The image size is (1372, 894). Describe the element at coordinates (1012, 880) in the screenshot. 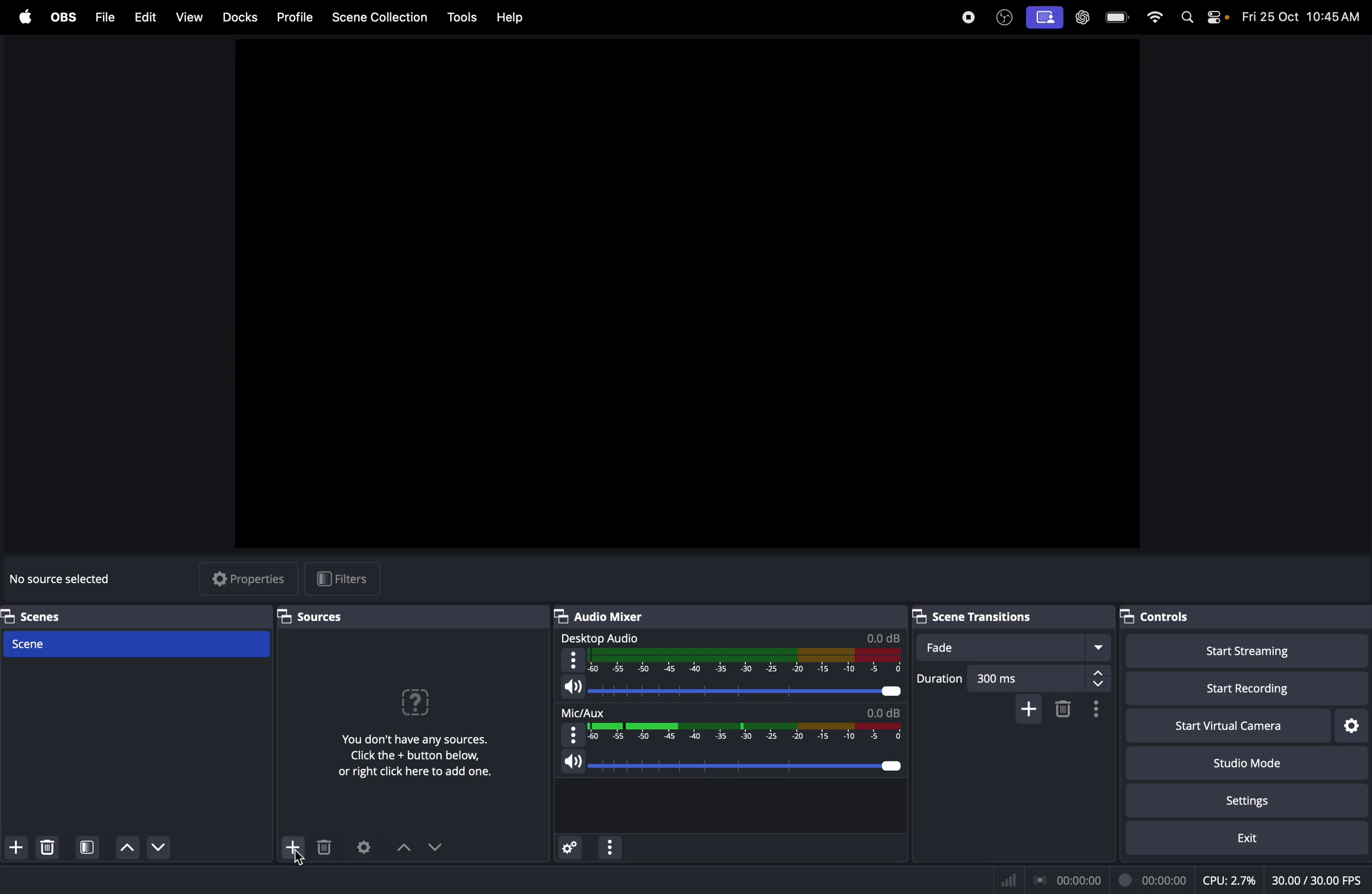

I see `Signal` at that location.